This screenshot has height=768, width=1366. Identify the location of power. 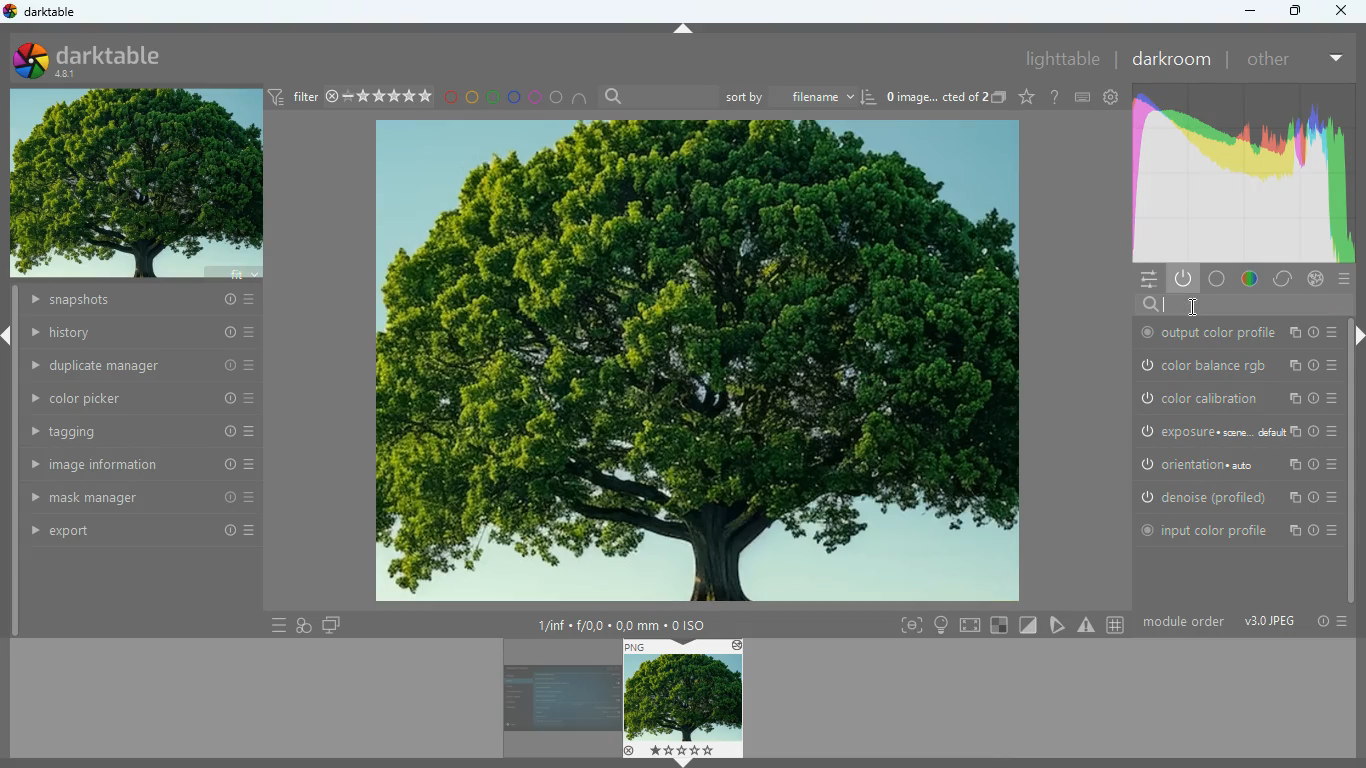
(1184, 278).